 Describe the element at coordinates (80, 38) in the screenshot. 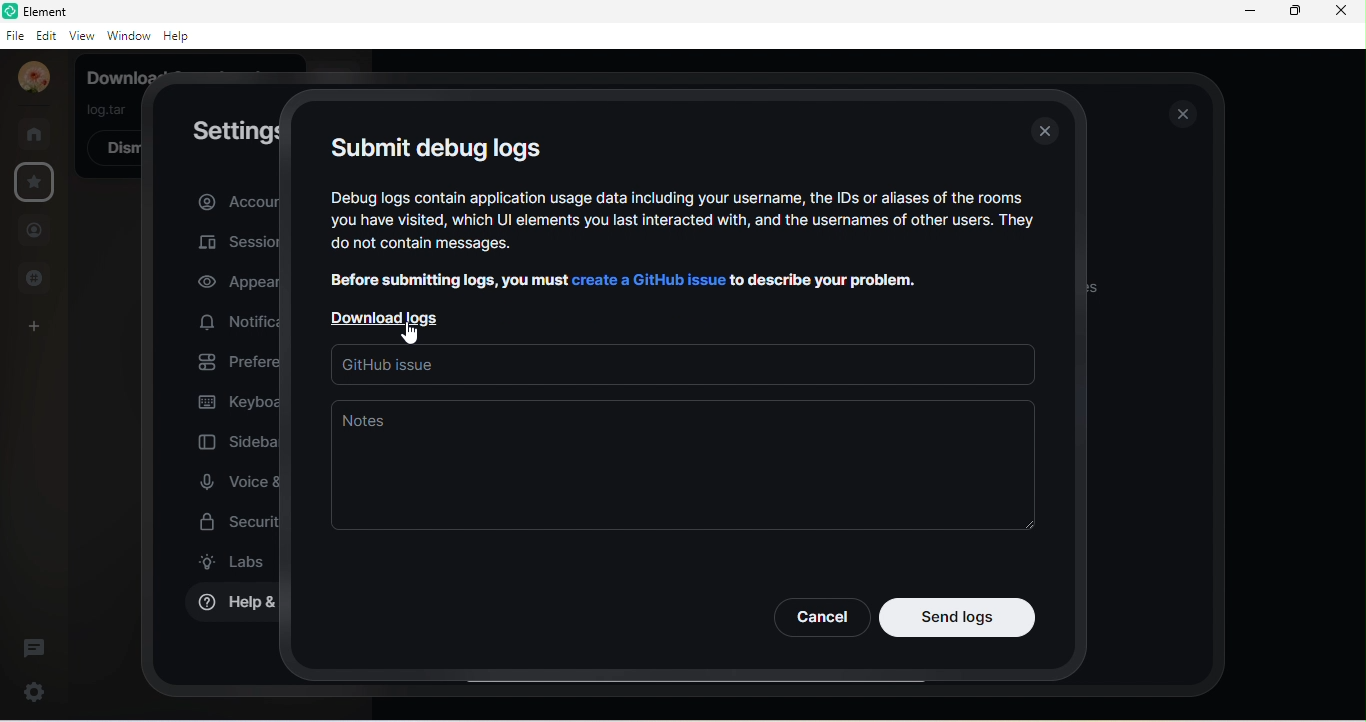

I see `view` at that location.